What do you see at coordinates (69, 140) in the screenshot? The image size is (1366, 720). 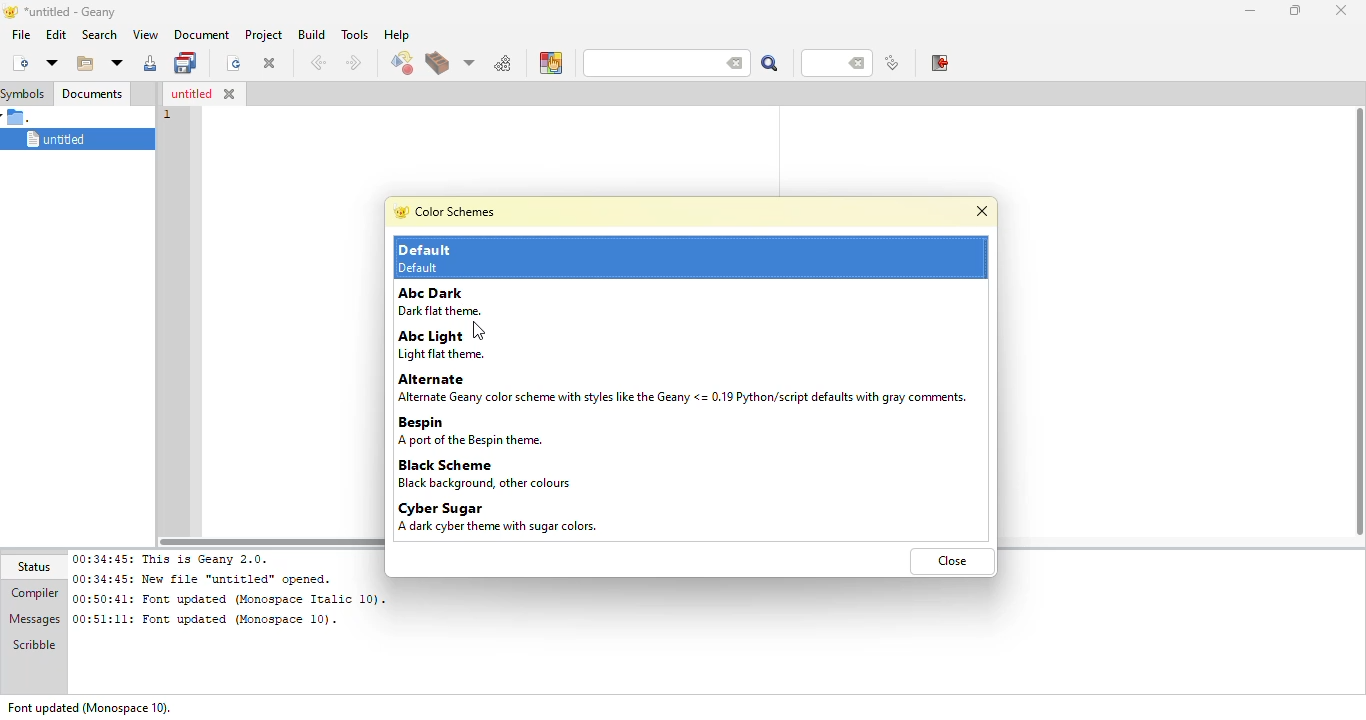 I see `untitled` at bounding box center [69, 140].